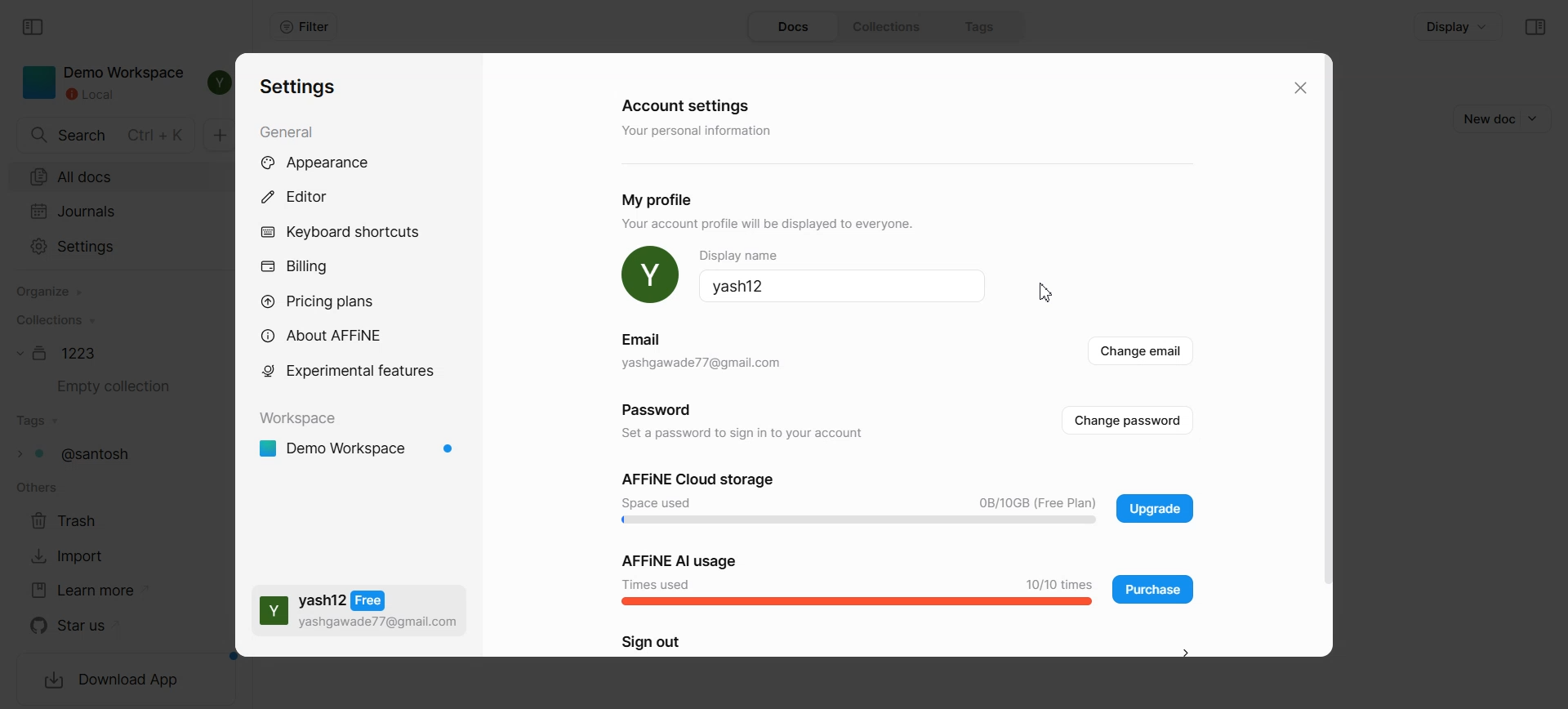 Image resolution: width=1568 pixels, height=709 pixels. Describe the element at coordinates (341, 231) in the screenshot. I see `Keyboard shortcuts` at that location.